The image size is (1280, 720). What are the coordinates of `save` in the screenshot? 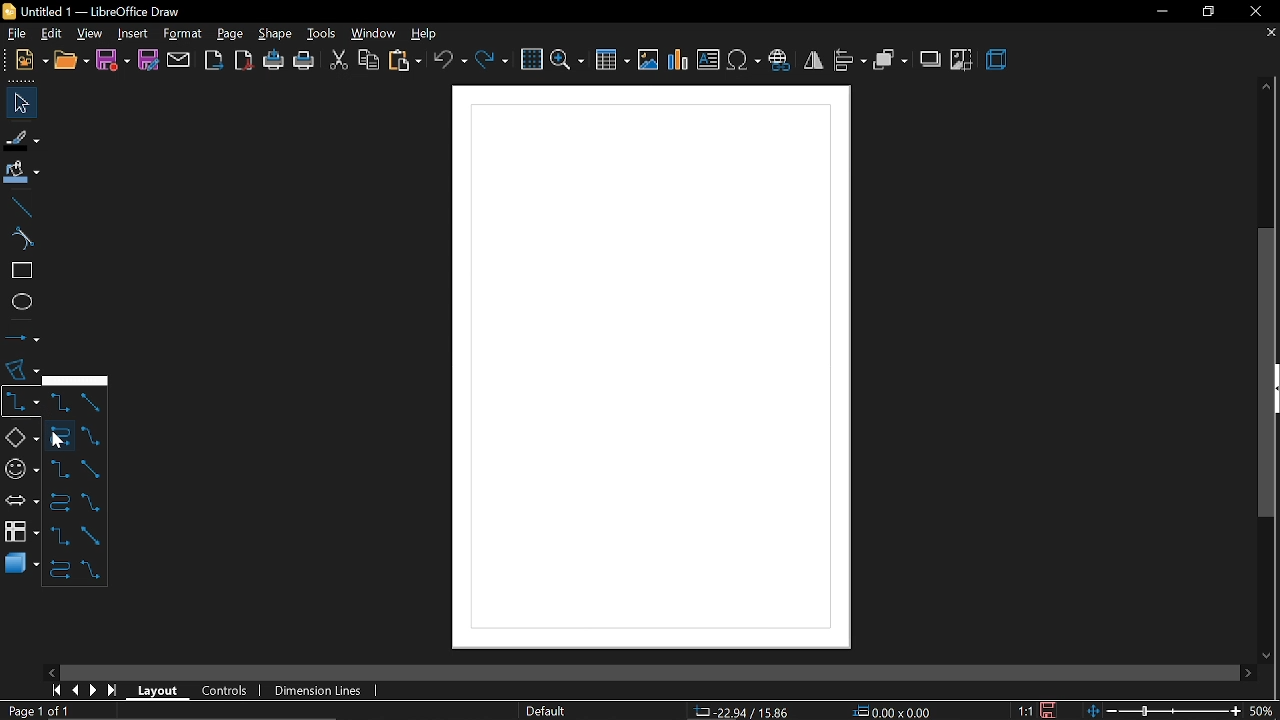 It's located at (1051, 710).